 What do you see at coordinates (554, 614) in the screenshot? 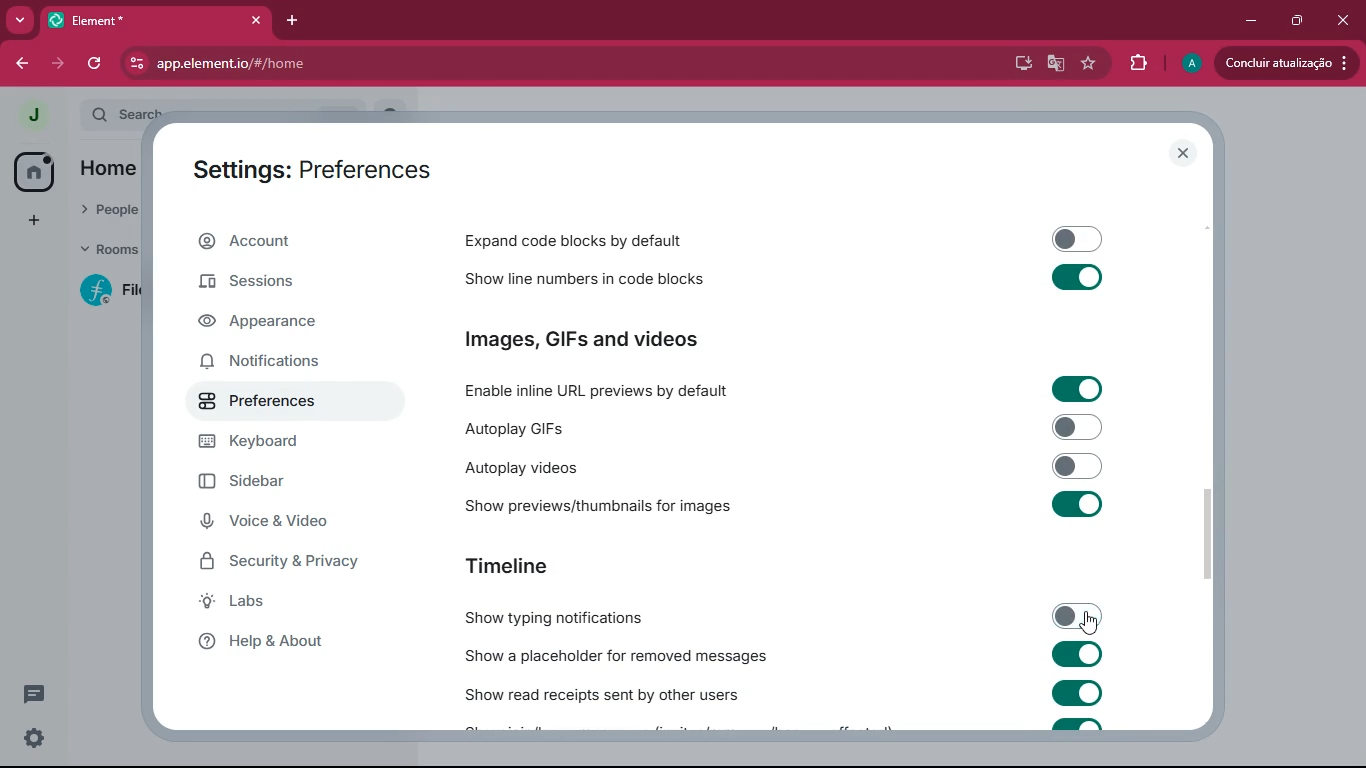
I see `show typing notifications` at bounding box center [554, 614].